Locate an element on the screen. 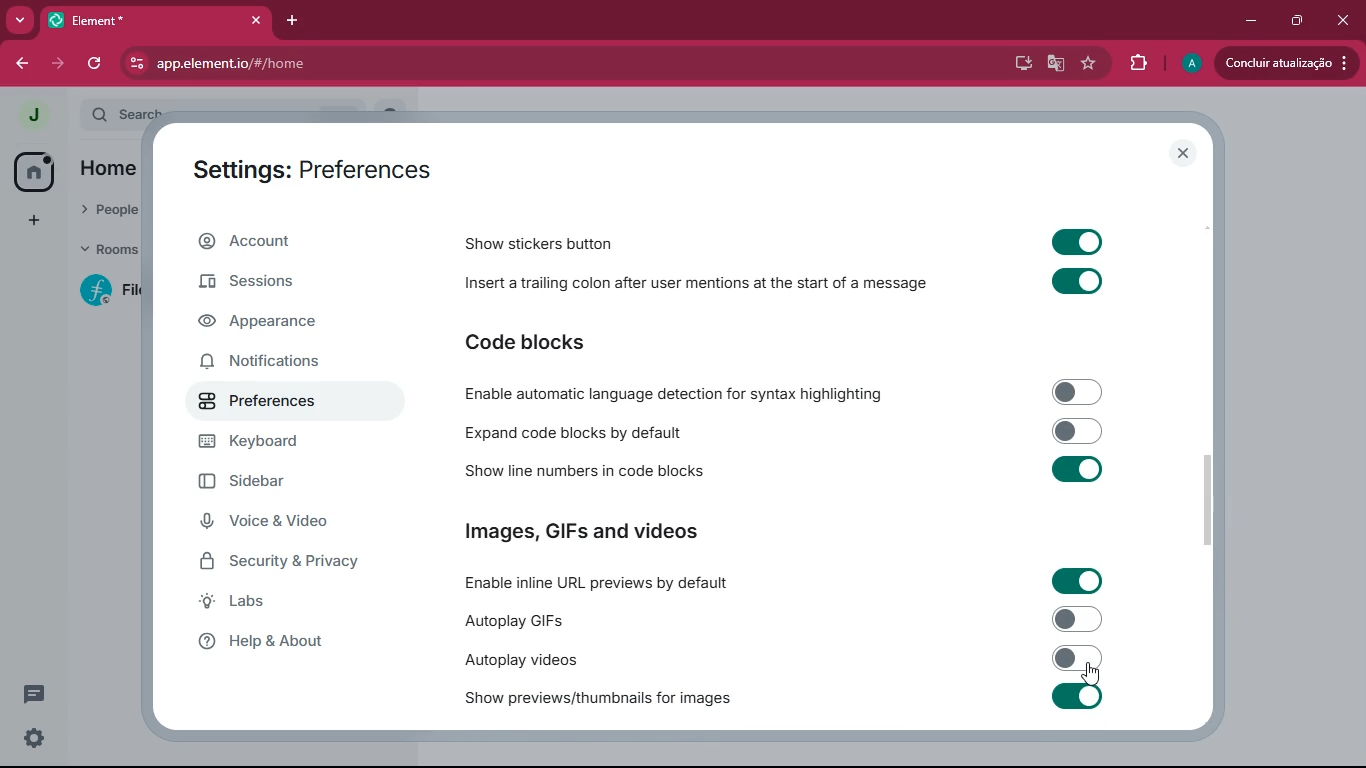  website url is located at coordinates (337, 65).